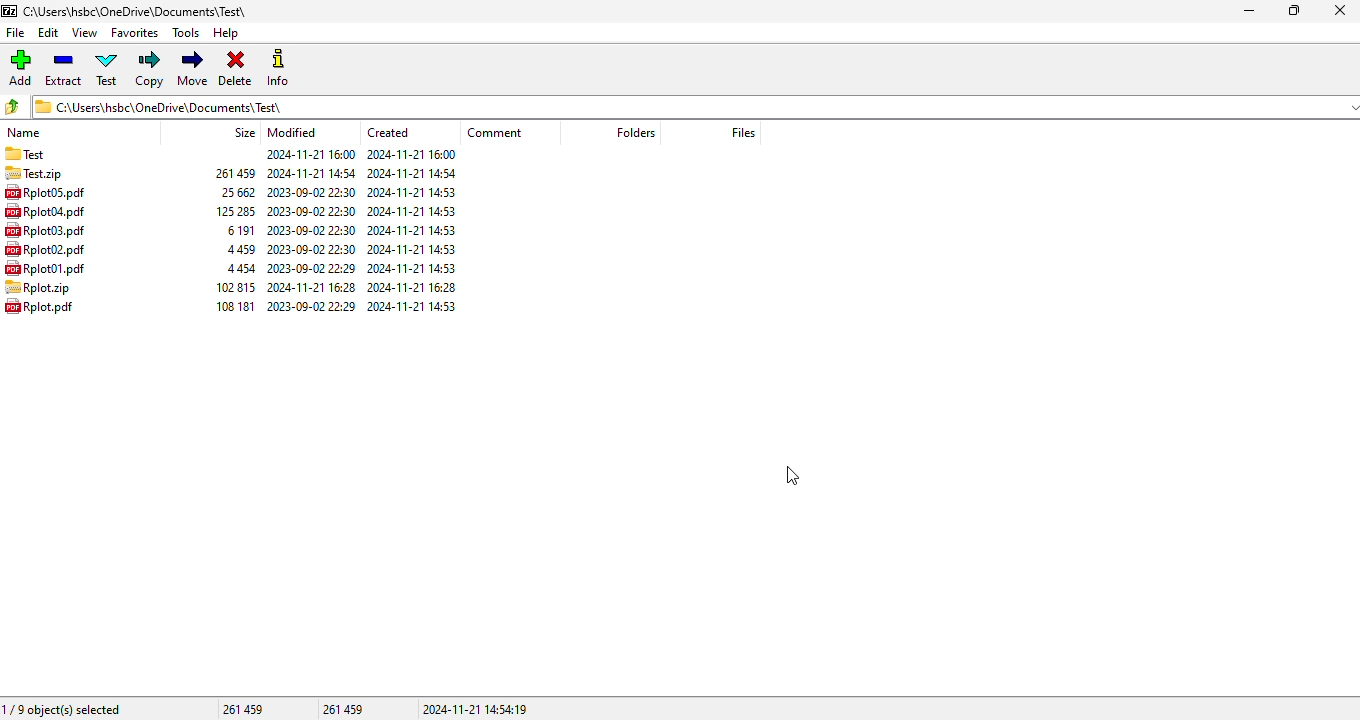 The width and height of the screenshot is (1360, 720). What do you see at coordinates (151, 70) in the screenshot?
I see `copy` at bounding box center [151, 70].